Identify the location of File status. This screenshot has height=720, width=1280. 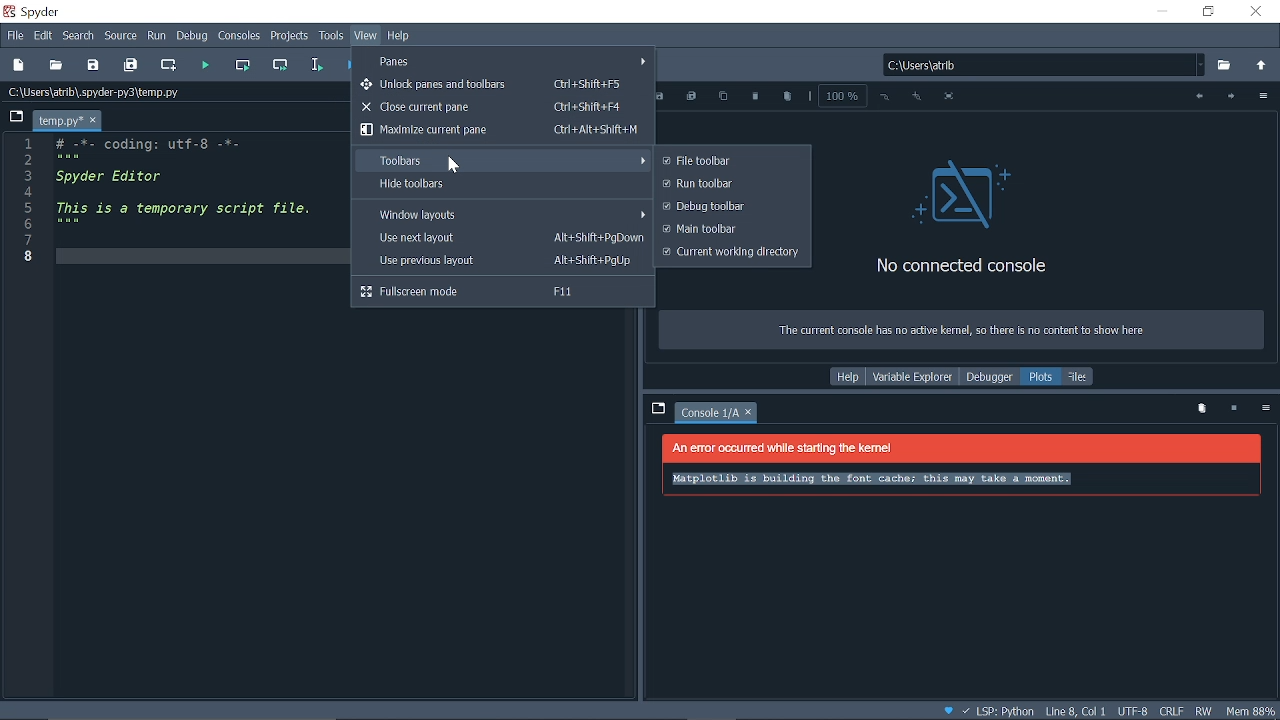
(1170, 711).